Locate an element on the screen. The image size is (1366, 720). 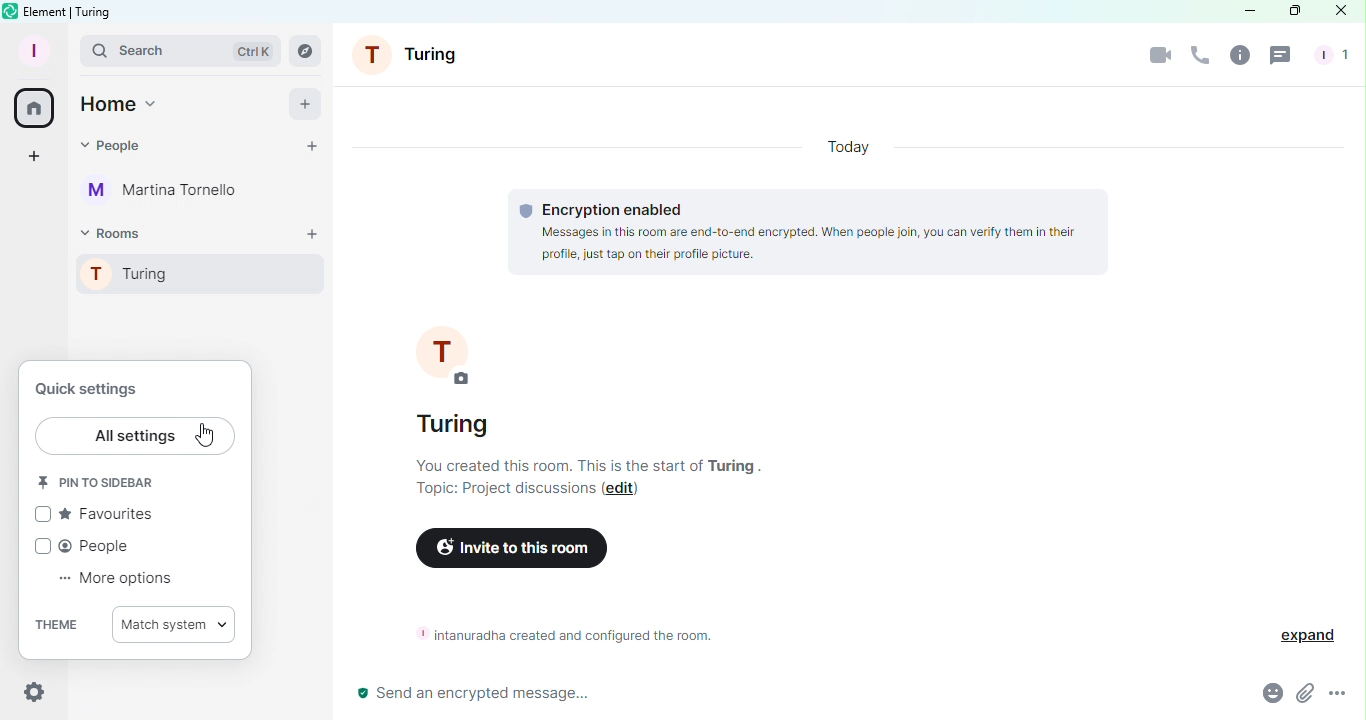
Invite to this room is located at coordinates (510, 550).